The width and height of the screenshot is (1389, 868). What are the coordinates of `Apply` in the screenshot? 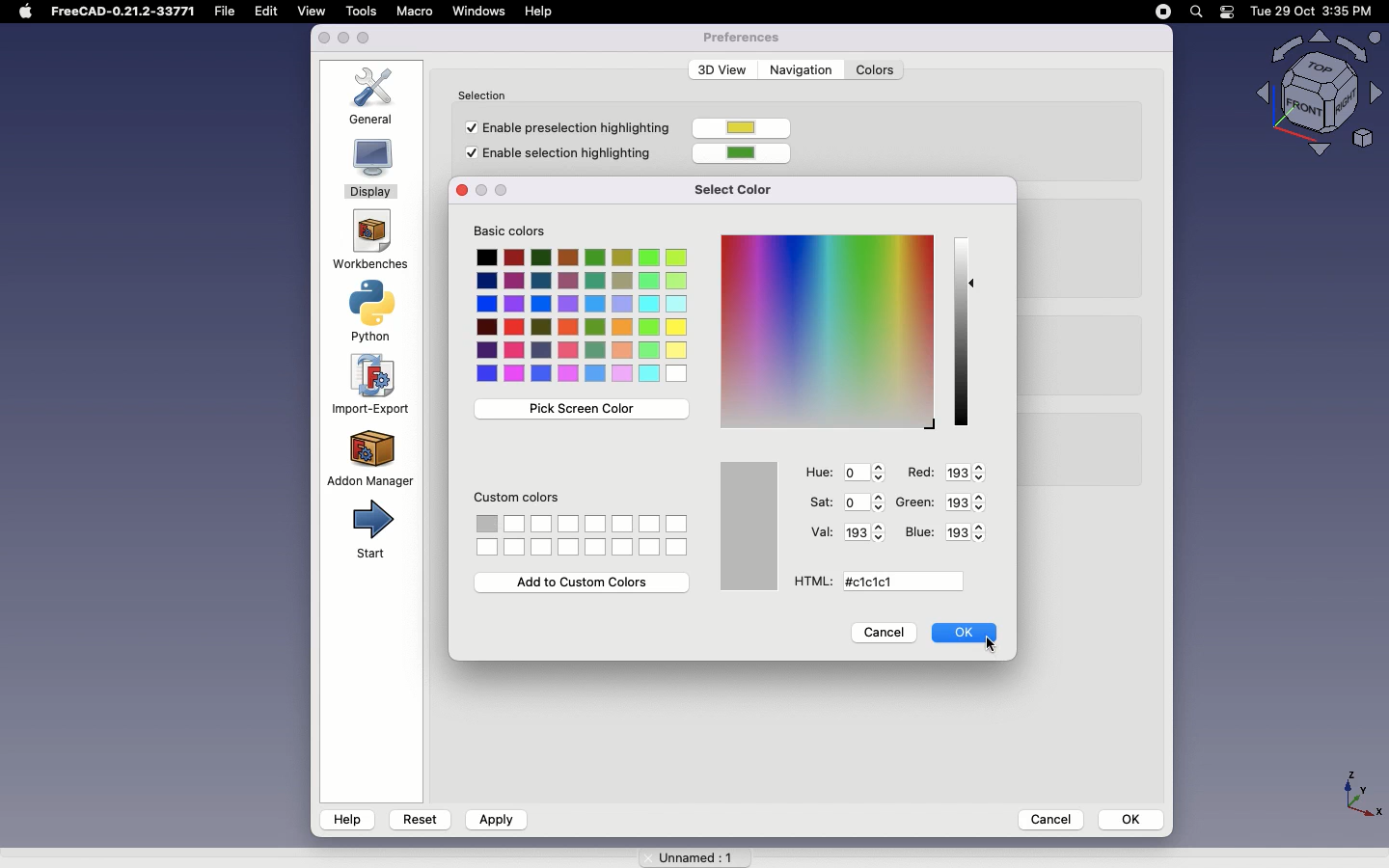 It's located at (495, 820).